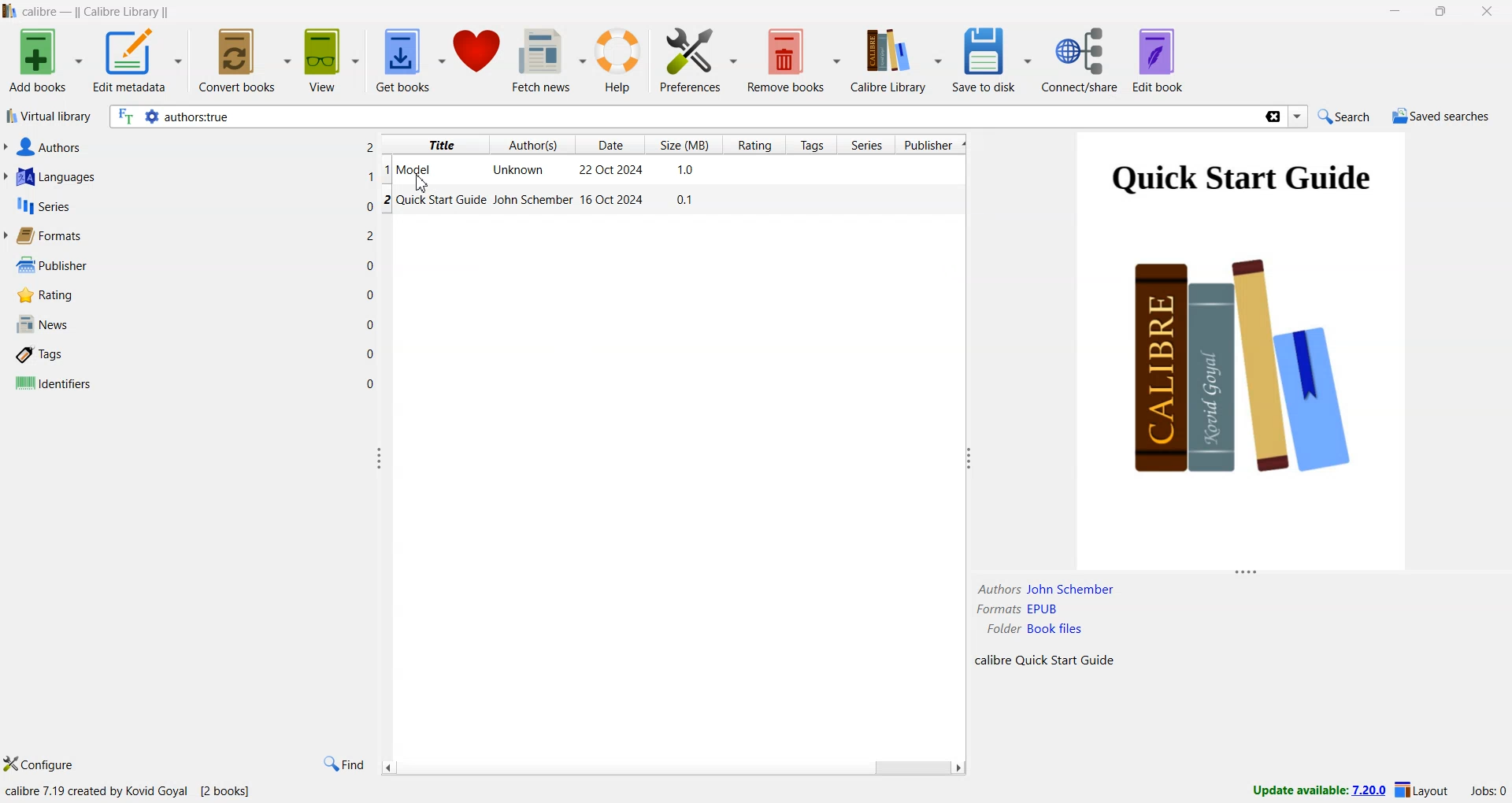 Image resolution: width=1512 pixels, height=803 pixels. What do you see at coordinates (699, 61) in the screenshot?
I see `preferences` at bounding box center [699, 61].